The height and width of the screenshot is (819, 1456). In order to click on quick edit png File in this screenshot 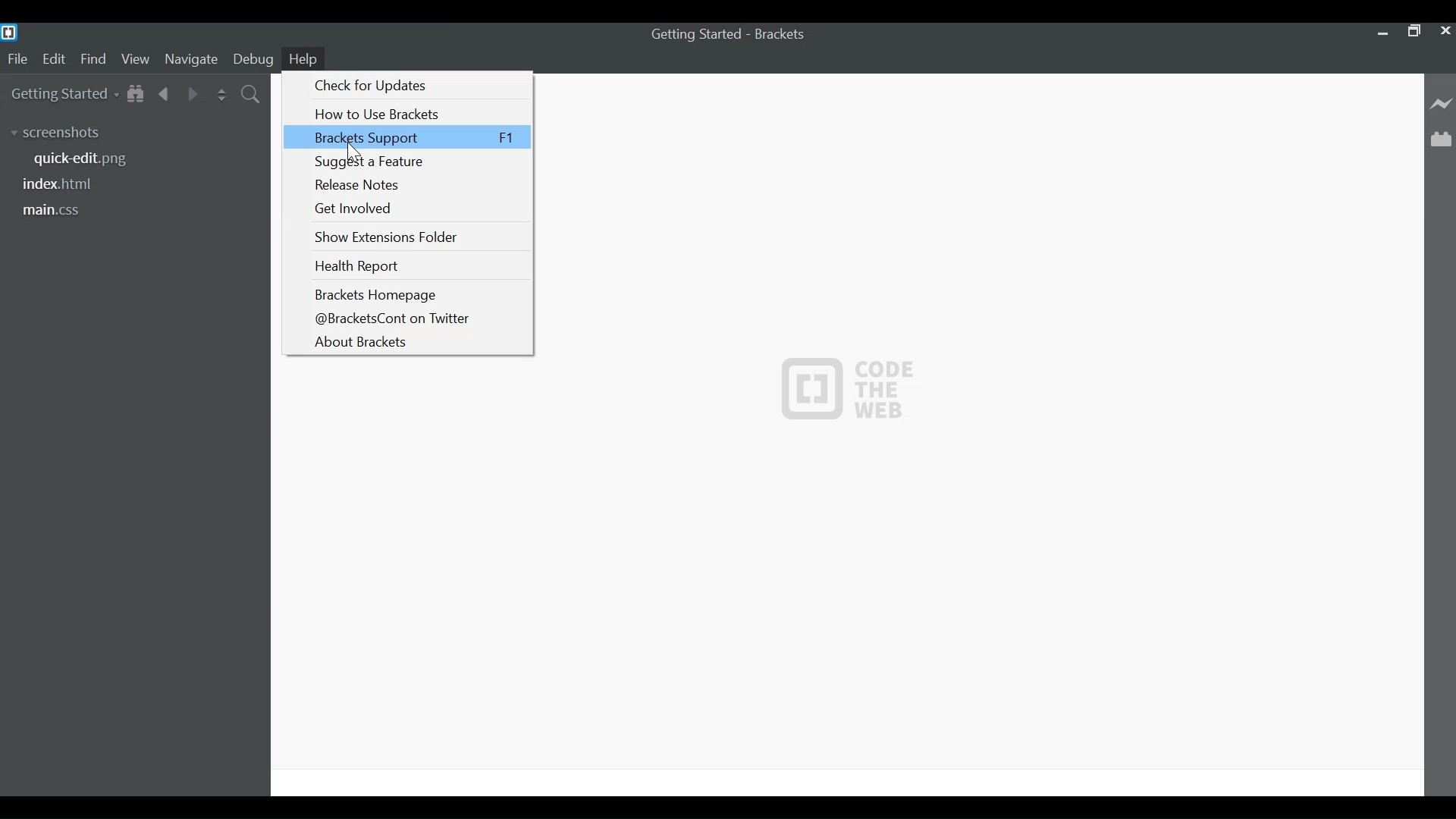, I will do `click(86, 160)`.